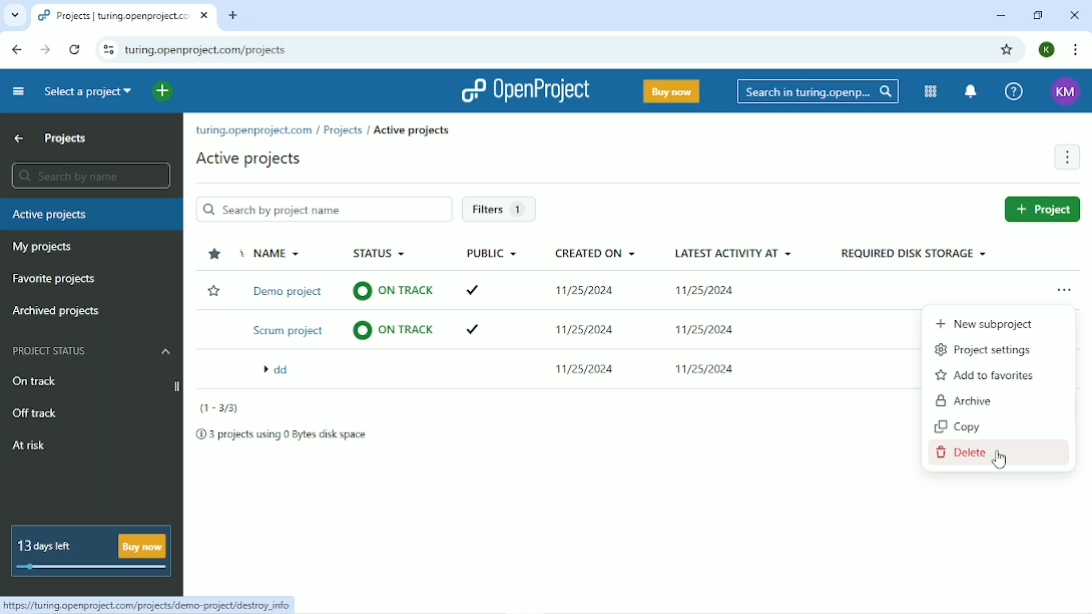 This screenshot has height=614, width=1092. What do you see at coordinates (987, 375) in the screenshot?
I see `Add to favorites` at bounding box center [987, 375].